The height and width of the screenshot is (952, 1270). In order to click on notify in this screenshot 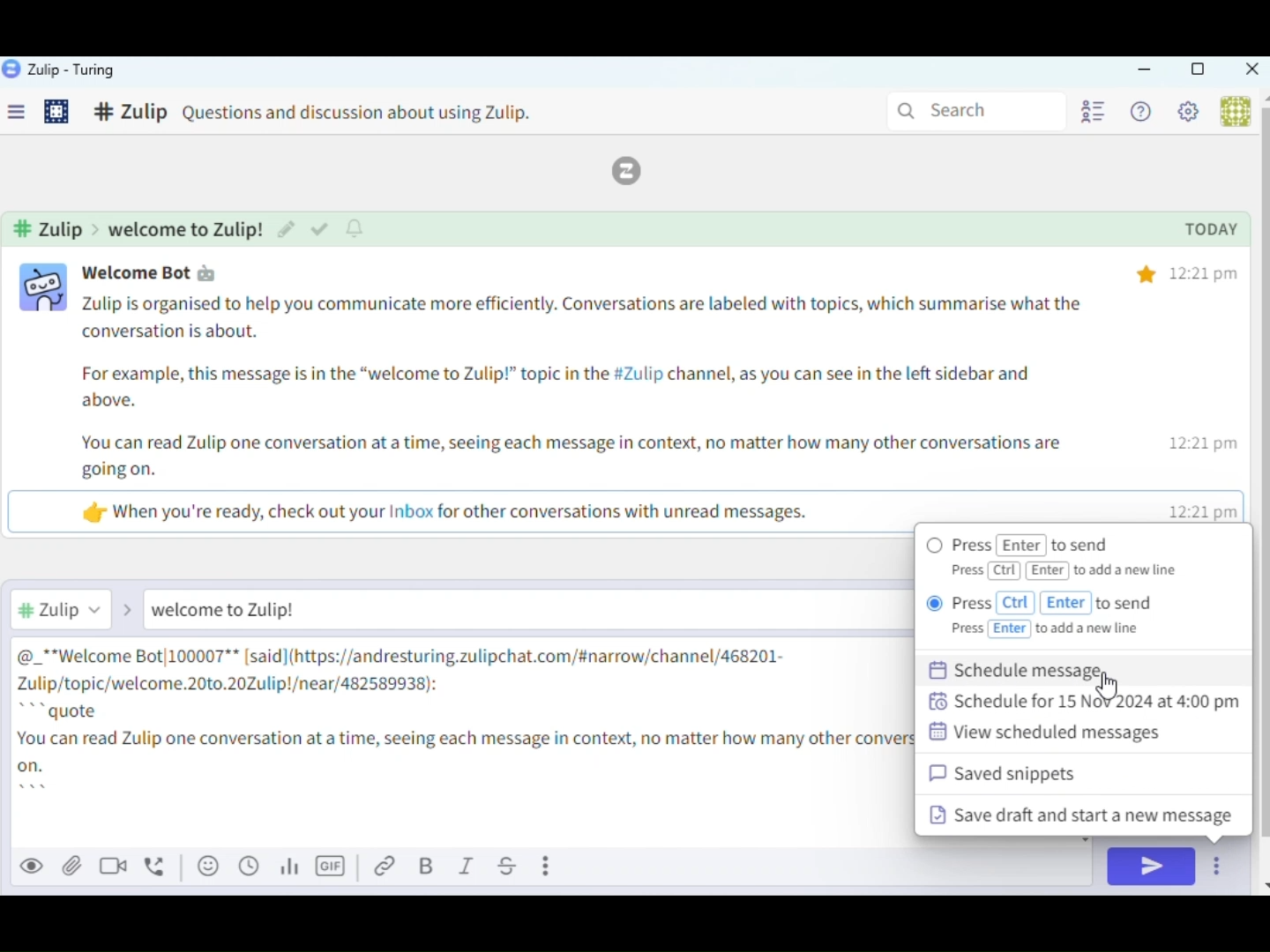, I will do `click(357, 228)`.